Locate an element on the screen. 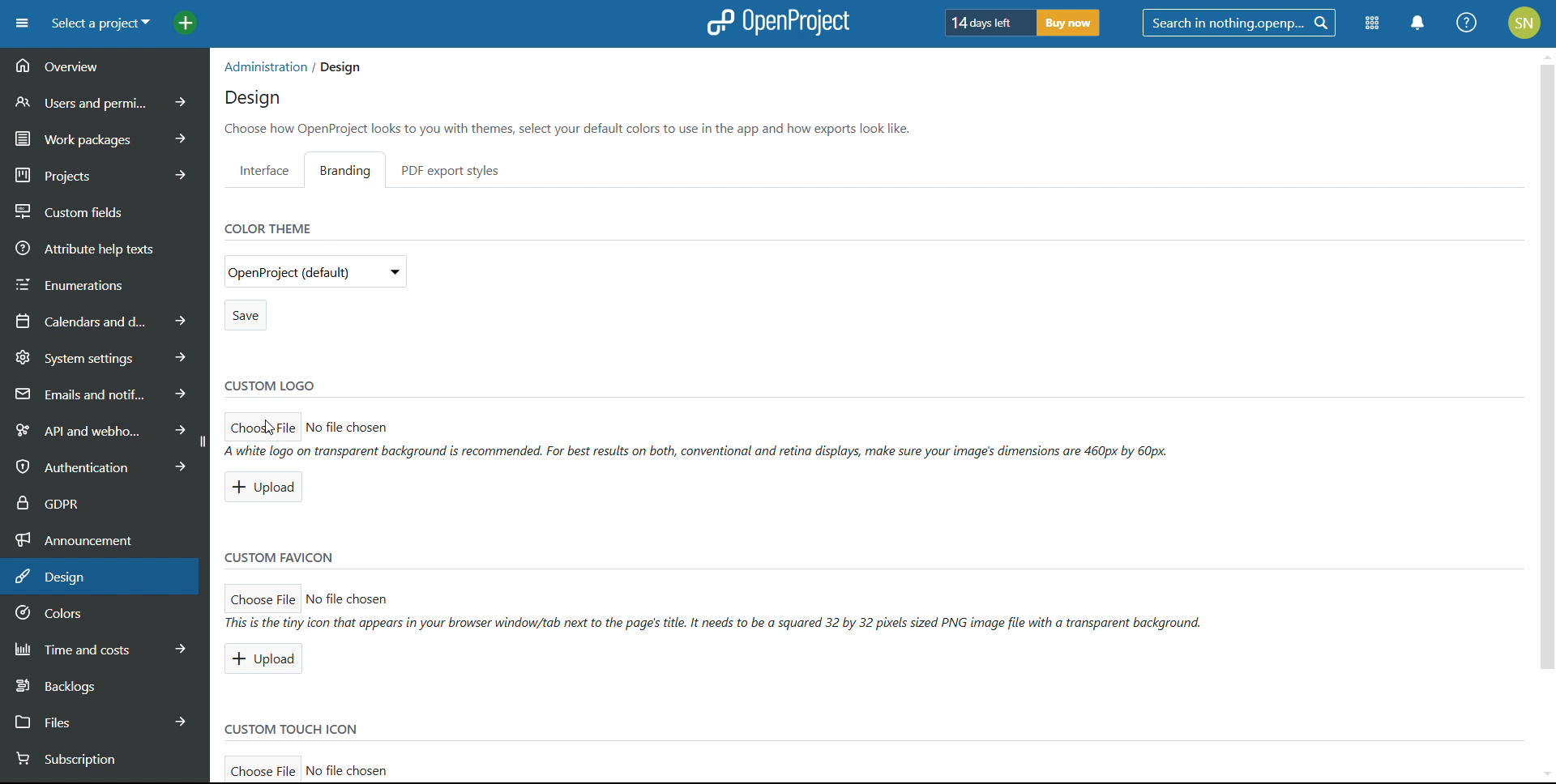 This screenshot has height=784, width=1556. modules is located at coordinates (1371, 24).